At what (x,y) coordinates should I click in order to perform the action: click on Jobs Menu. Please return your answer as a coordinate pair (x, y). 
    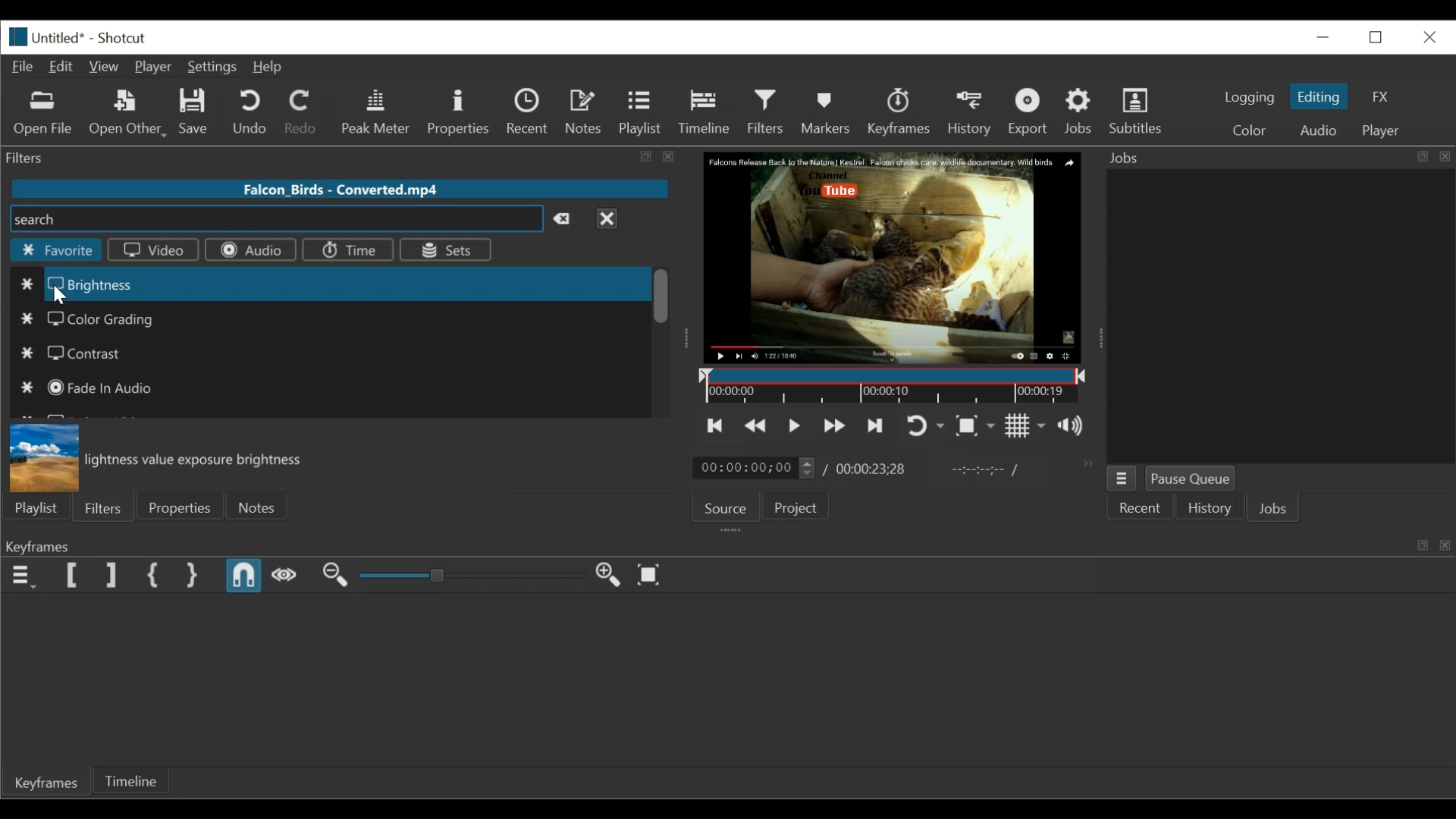
    Looking at the image, I should click on (1123, 479).